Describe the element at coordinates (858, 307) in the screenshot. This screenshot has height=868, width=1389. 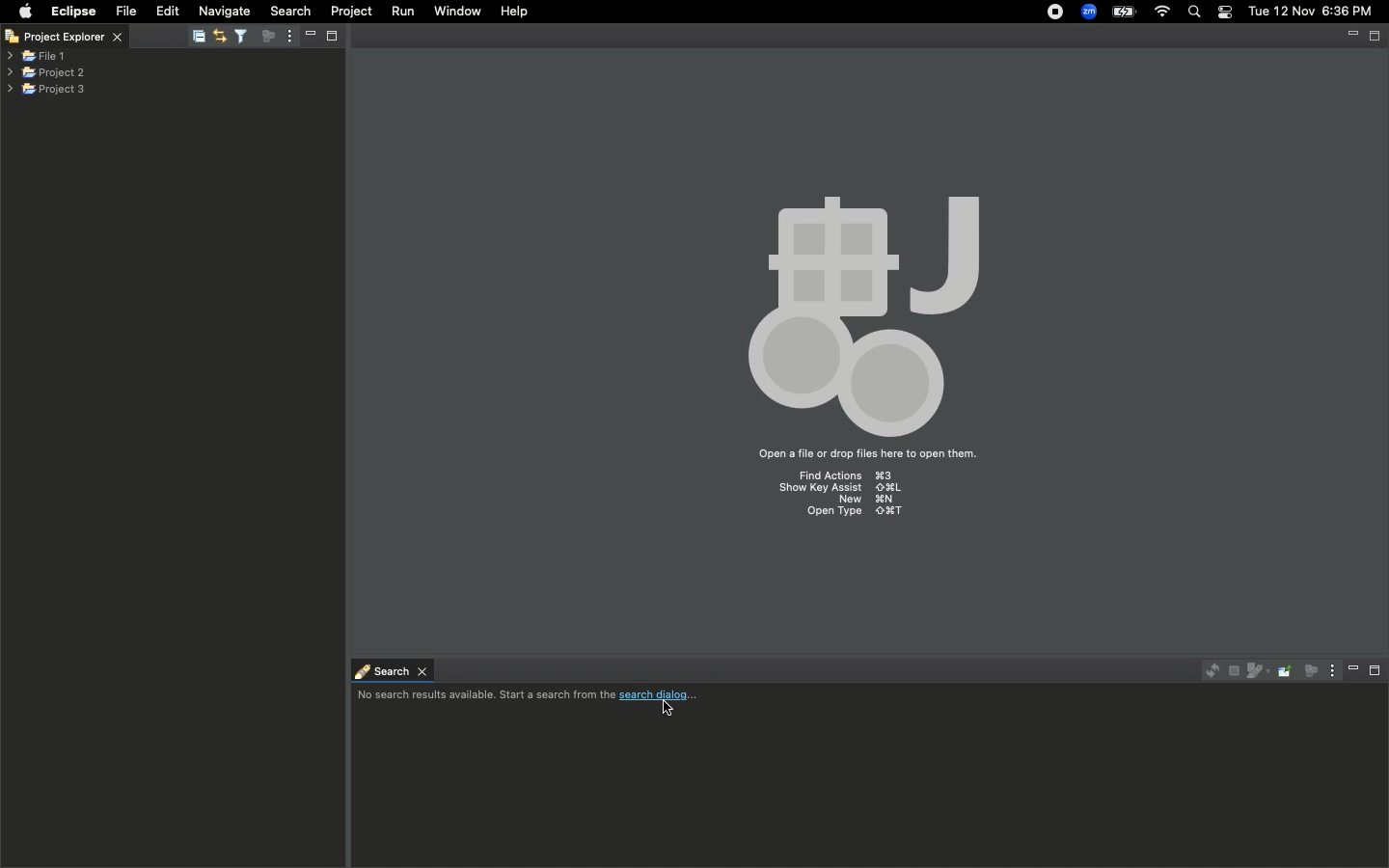
I see `Icon` at that location.